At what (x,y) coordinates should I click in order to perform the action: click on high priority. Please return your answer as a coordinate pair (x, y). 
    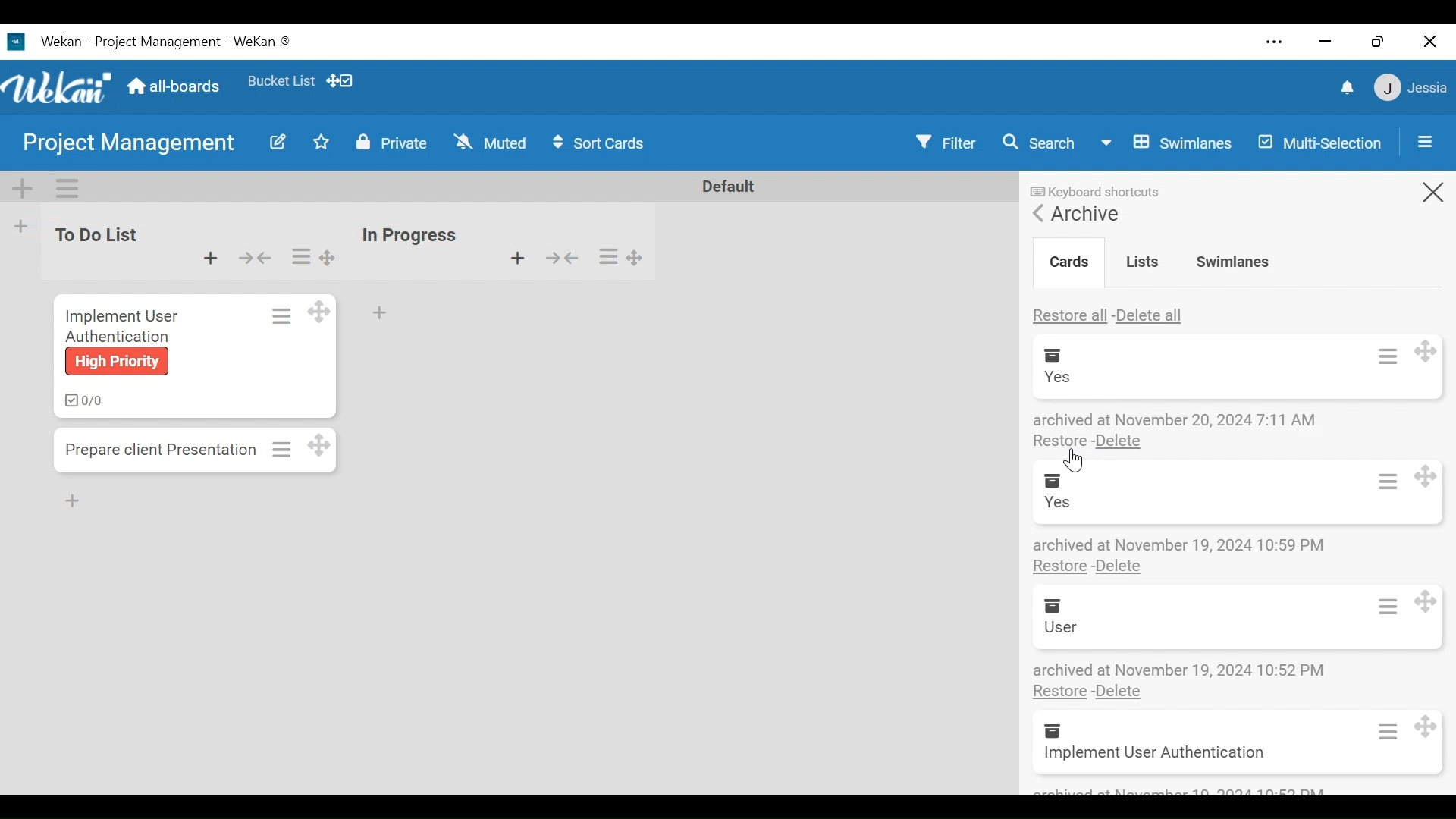
    Looking at the image, I should click on (115, 362).